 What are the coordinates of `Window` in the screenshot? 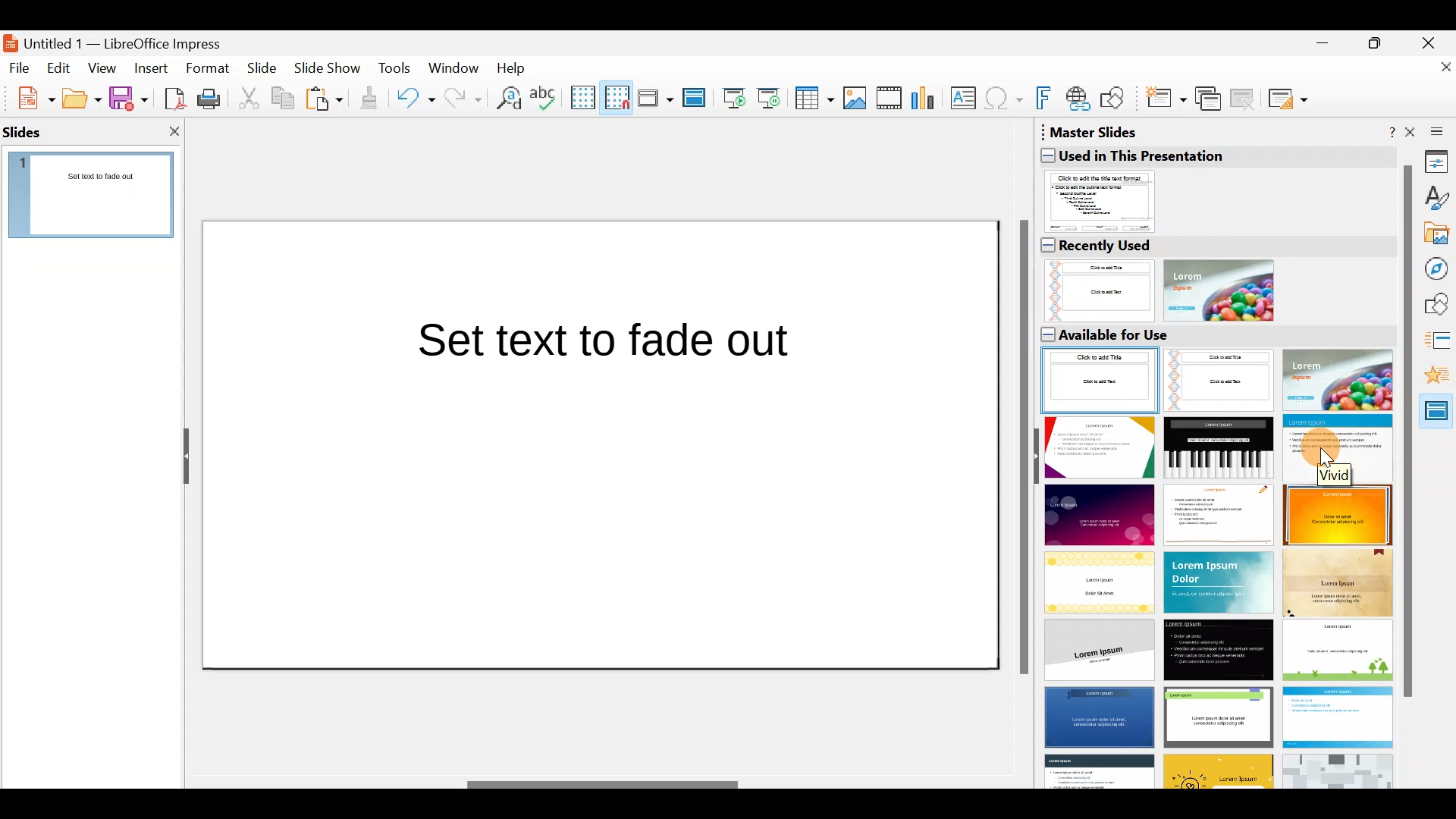 It's located at (457, 67).